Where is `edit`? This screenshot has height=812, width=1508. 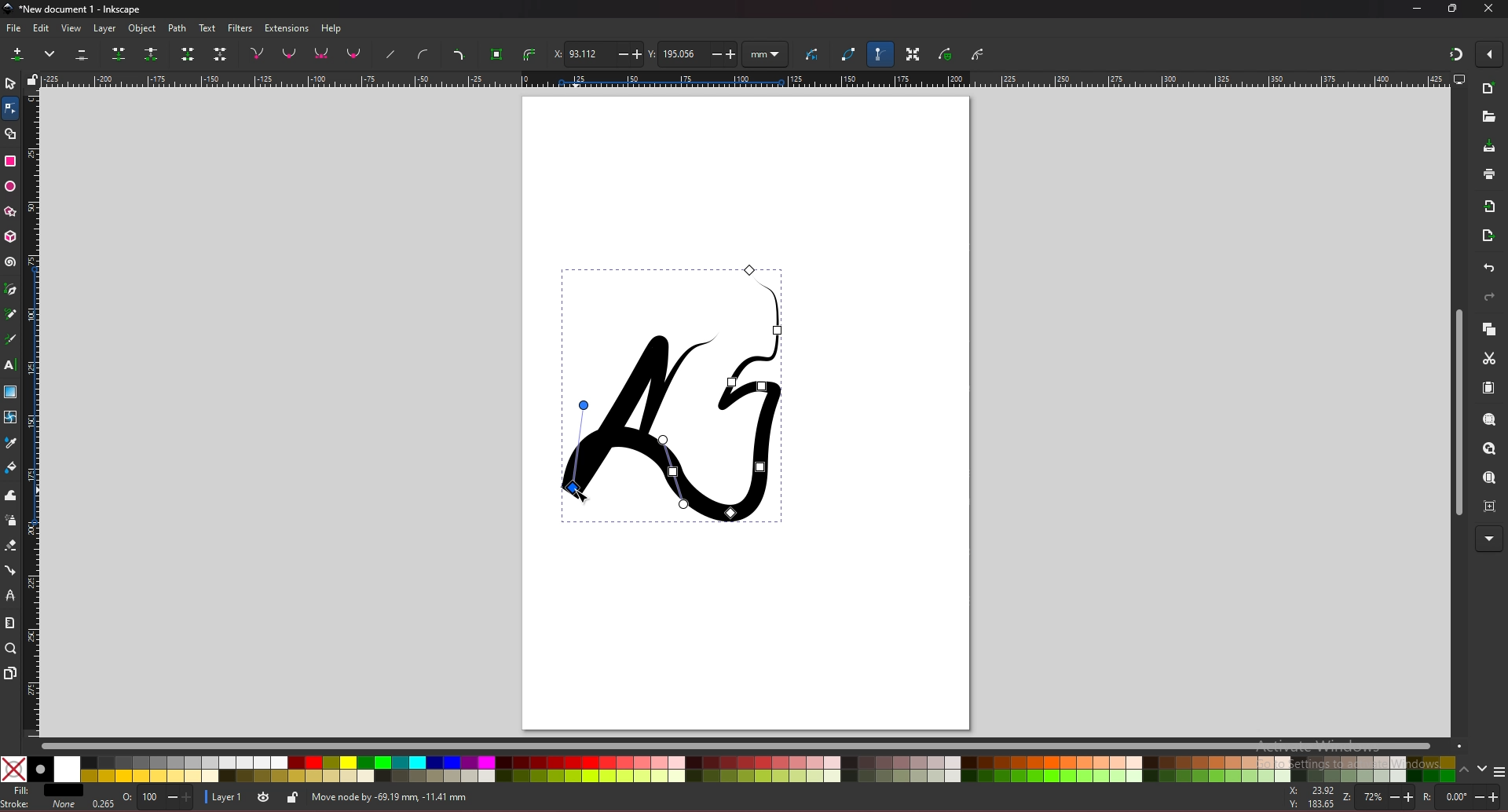
edit is located at coordinates (42, 28).